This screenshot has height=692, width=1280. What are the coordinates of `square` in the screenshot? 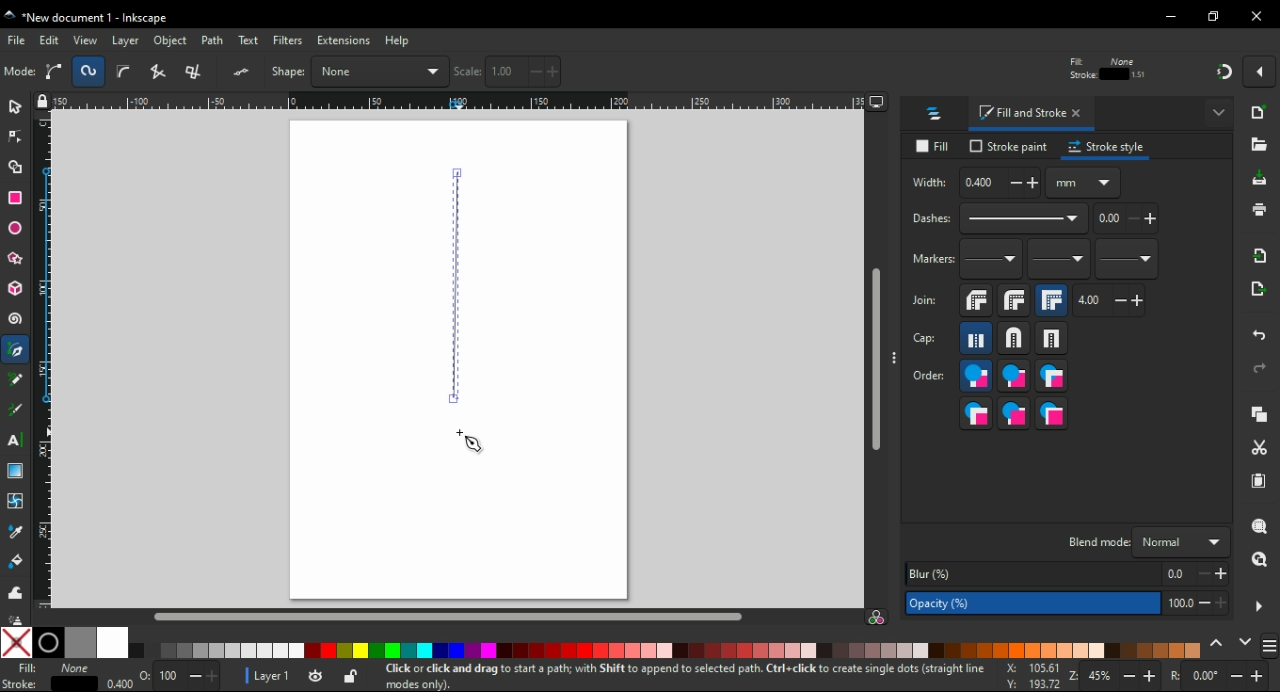 It's located at (1052, 338).